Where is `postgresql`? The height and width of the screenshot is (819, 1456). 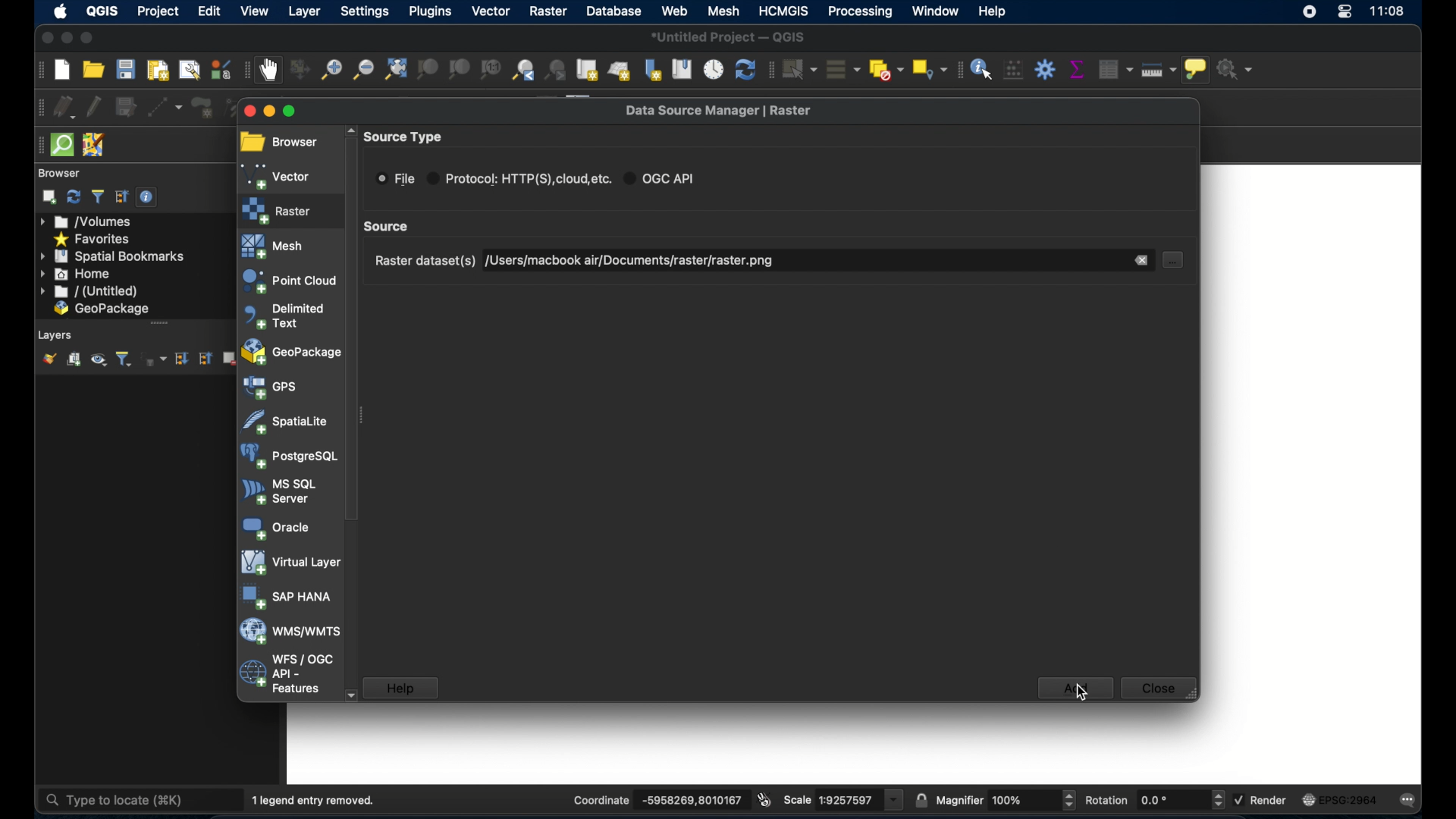
postgresql is located at coordinates (289, 456).